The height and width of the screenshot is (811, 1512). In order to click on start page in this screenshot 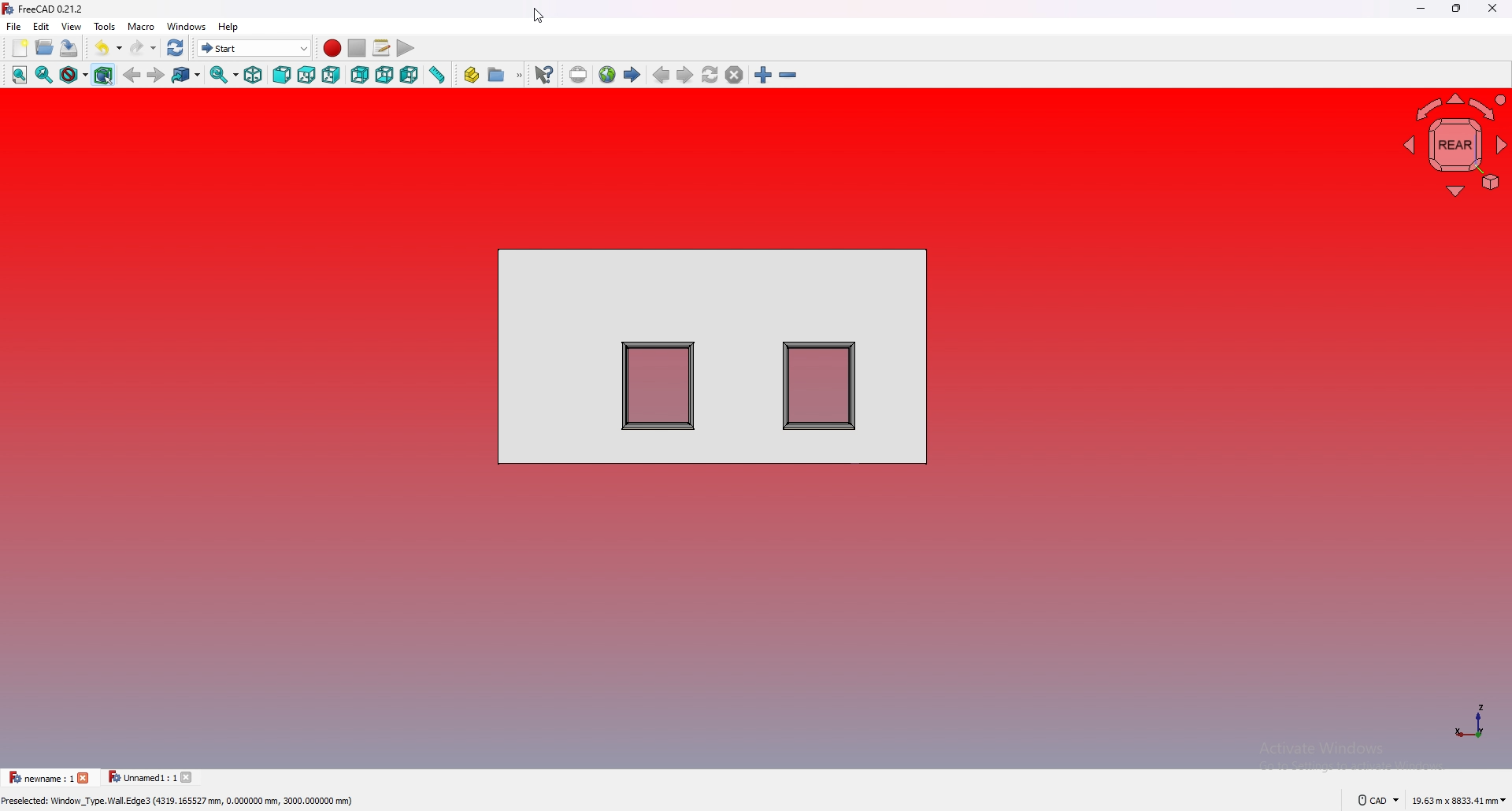, I will do `click(633, 74)`.